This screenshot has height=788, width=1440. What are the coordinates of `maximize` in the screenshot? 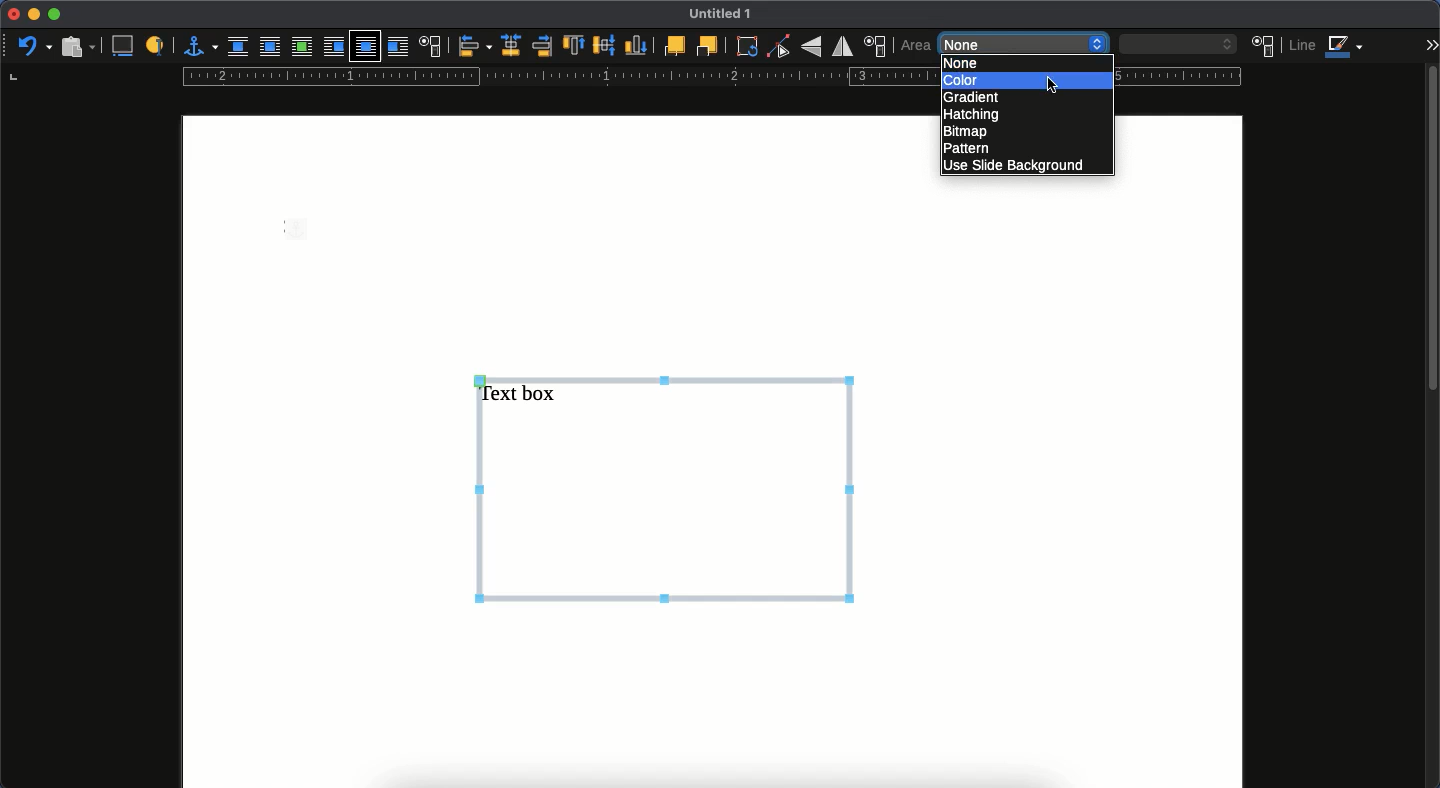 It's located at (56, 15).